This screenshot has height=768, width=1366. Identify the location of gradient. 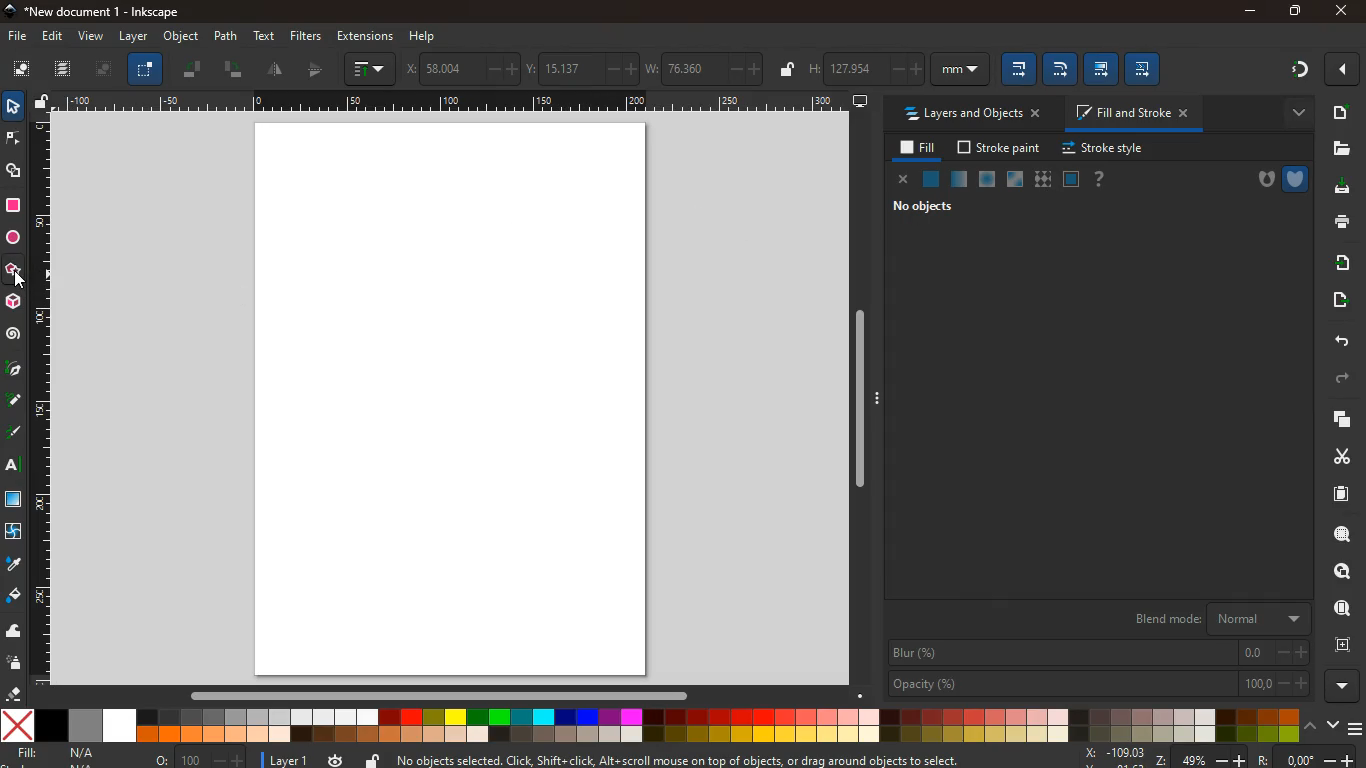
(1289, 70).